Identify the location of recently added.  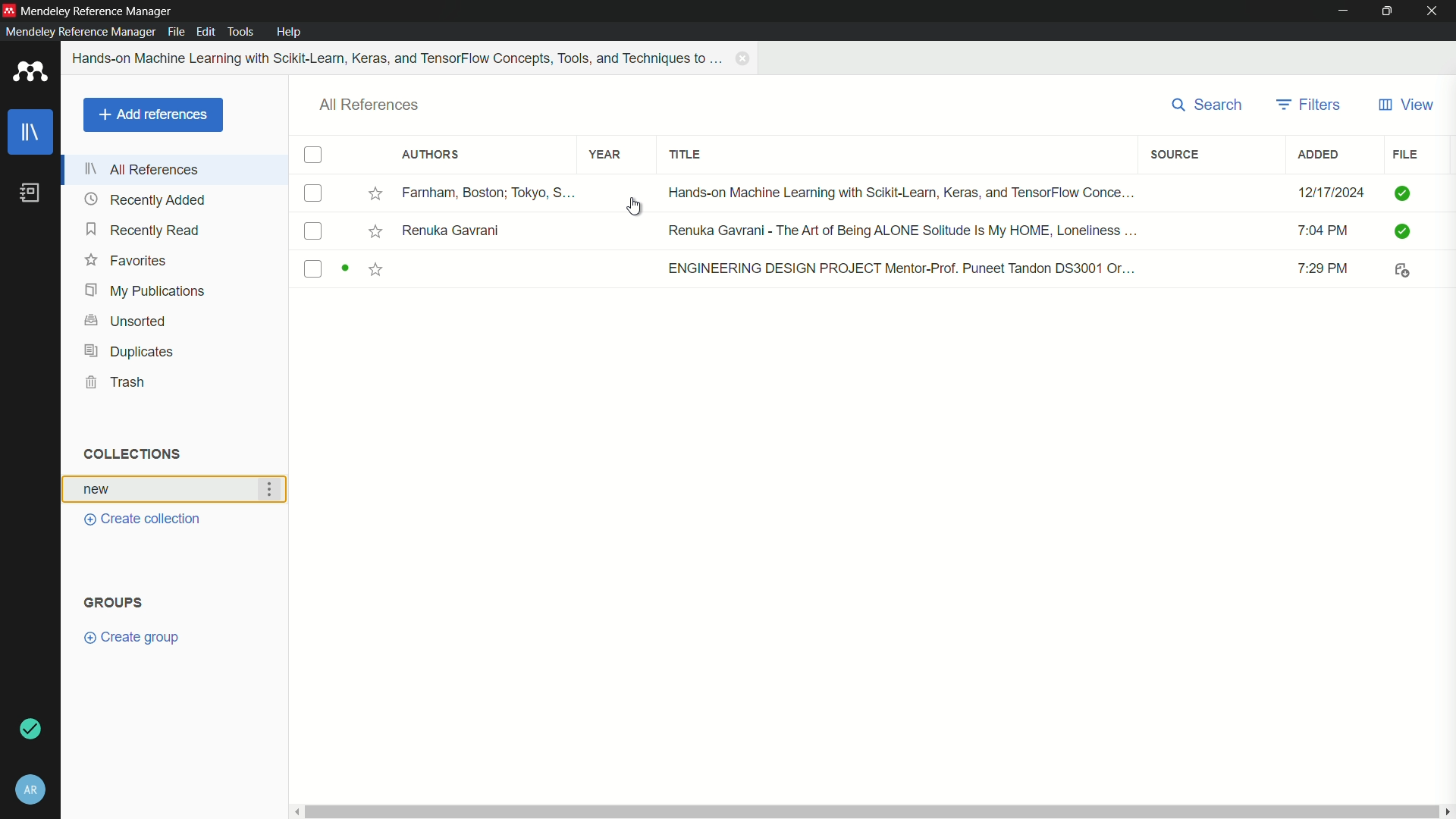
(145, 199).